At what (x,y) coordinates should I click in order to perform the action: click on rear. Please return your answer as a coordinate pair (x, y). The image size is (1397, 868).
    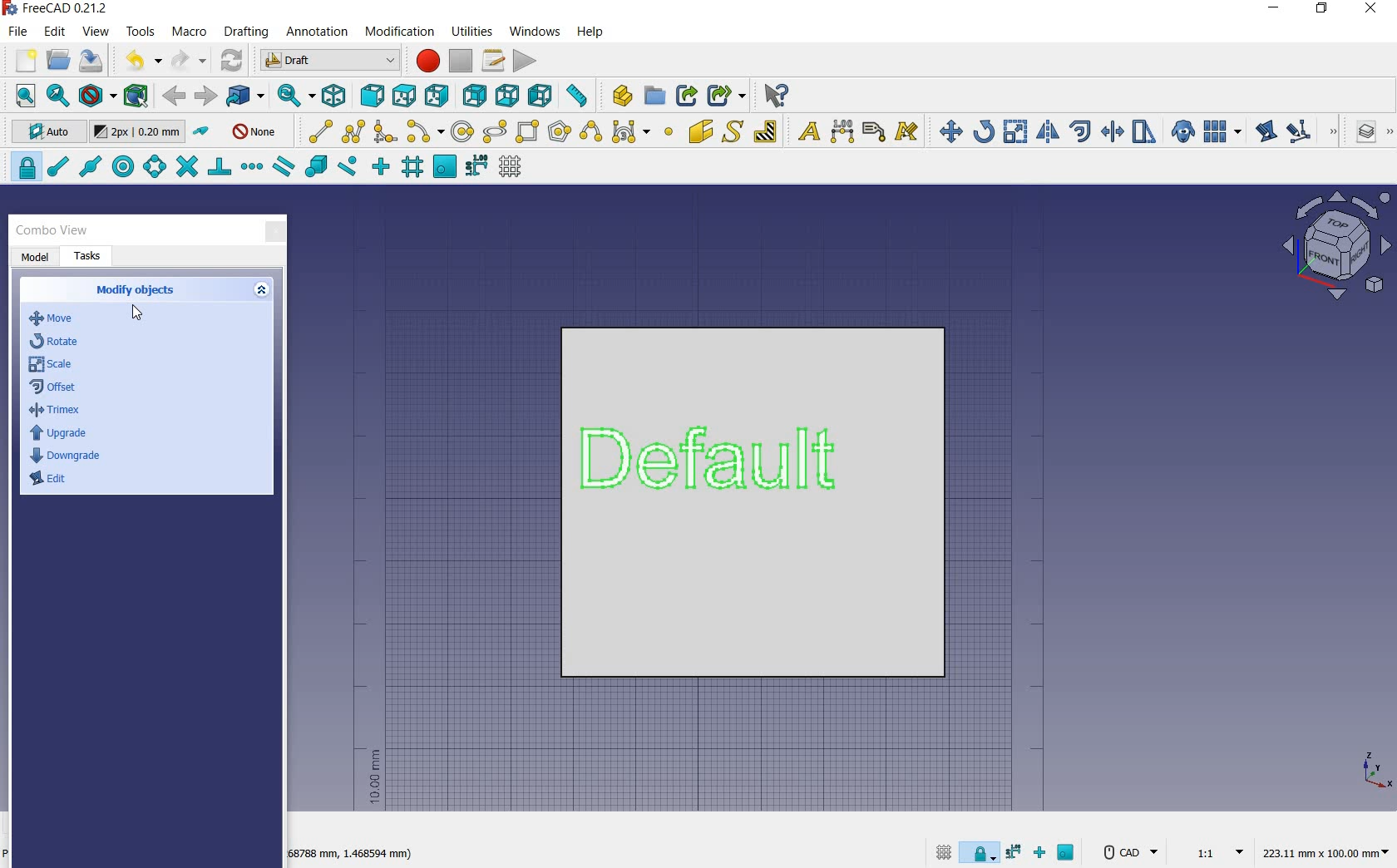
    Looking at the image, I should click on (476, 96).